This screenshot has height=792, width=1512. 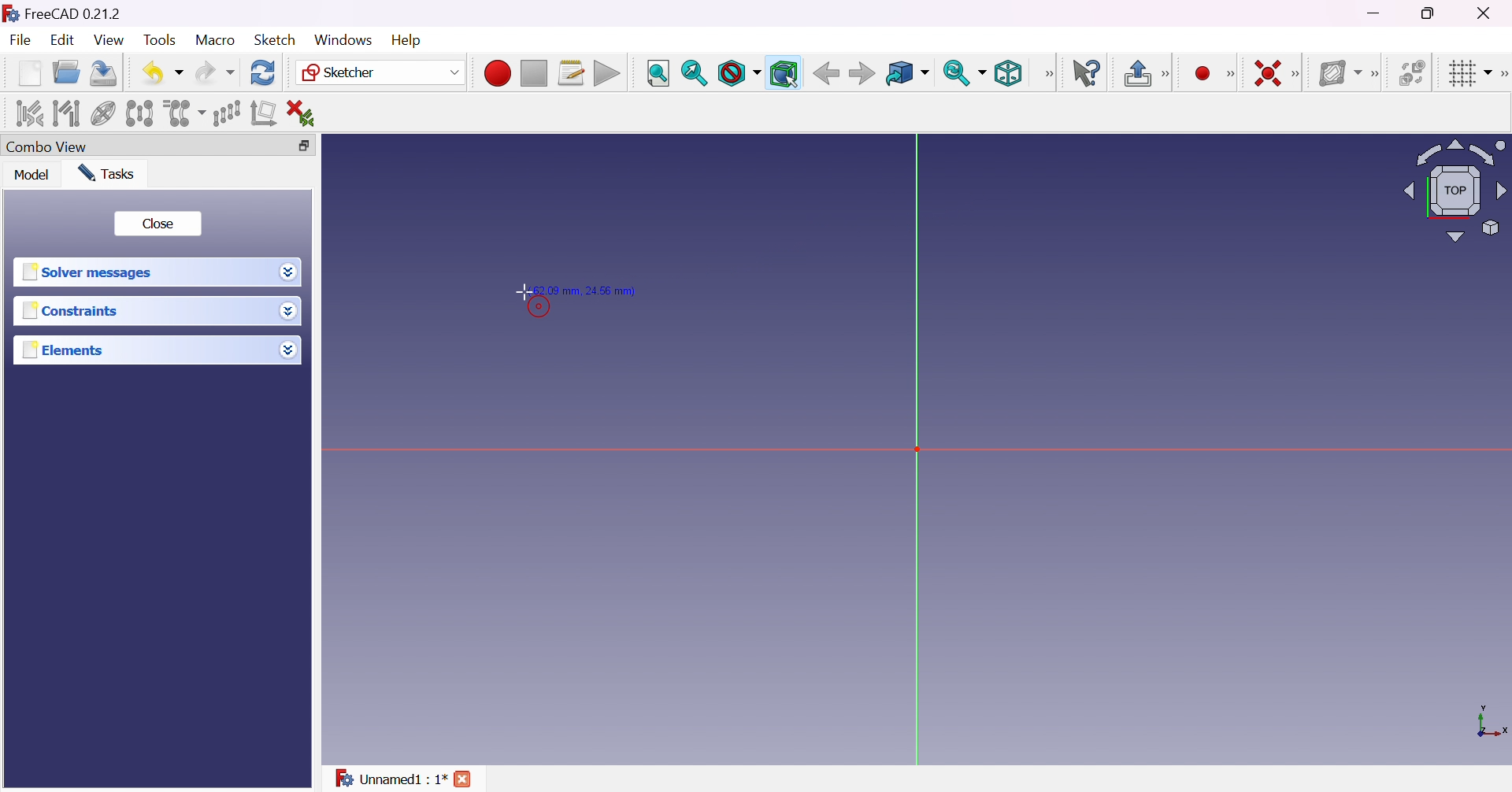 What do you see at coordinates (1452, 192) in the screenshot?
I see `Viewing angle` at bounding box center [1452, 192].